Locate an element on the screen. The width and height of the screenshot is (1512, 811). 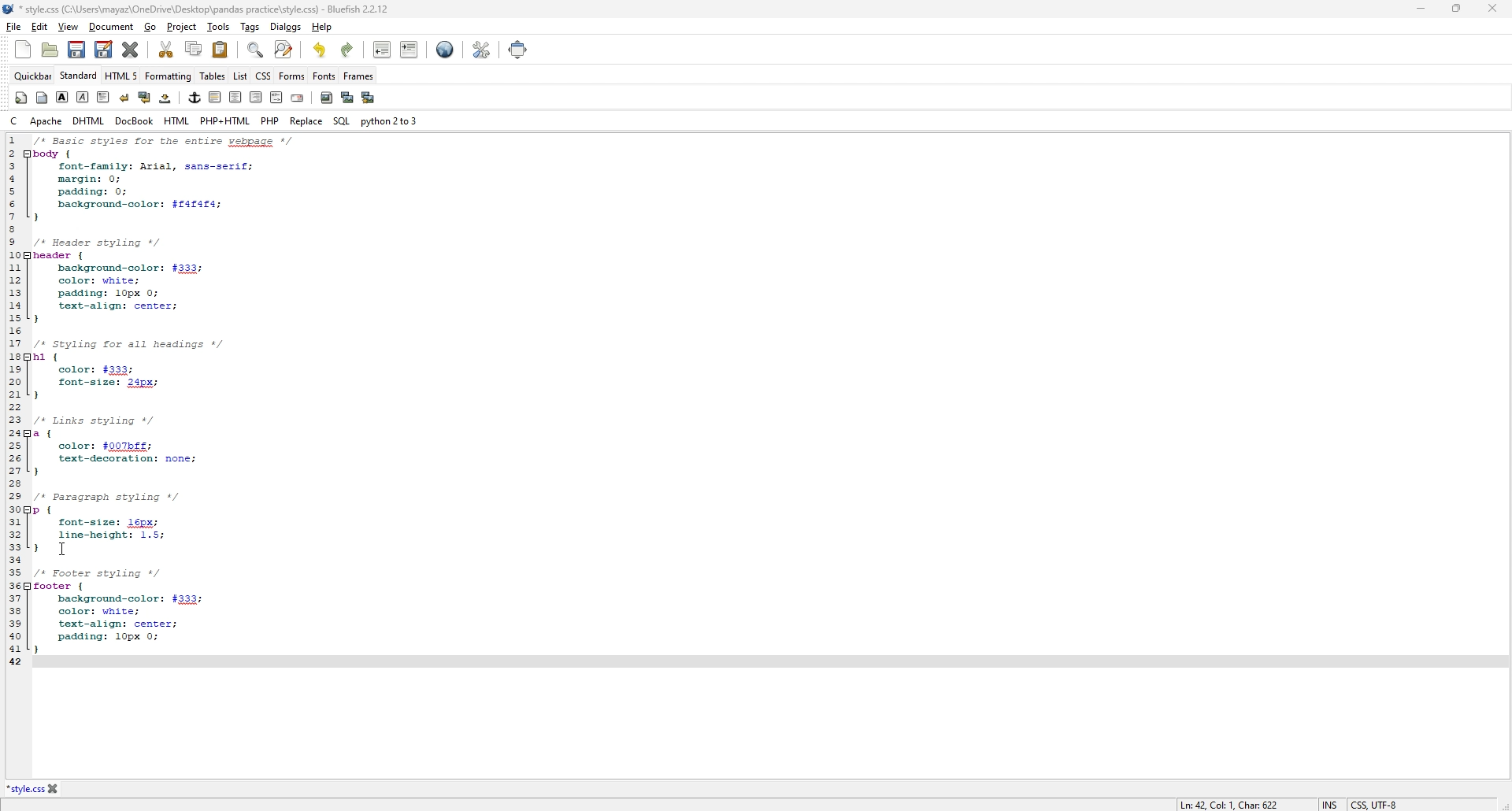
bold is located at coordinates (63, 97).